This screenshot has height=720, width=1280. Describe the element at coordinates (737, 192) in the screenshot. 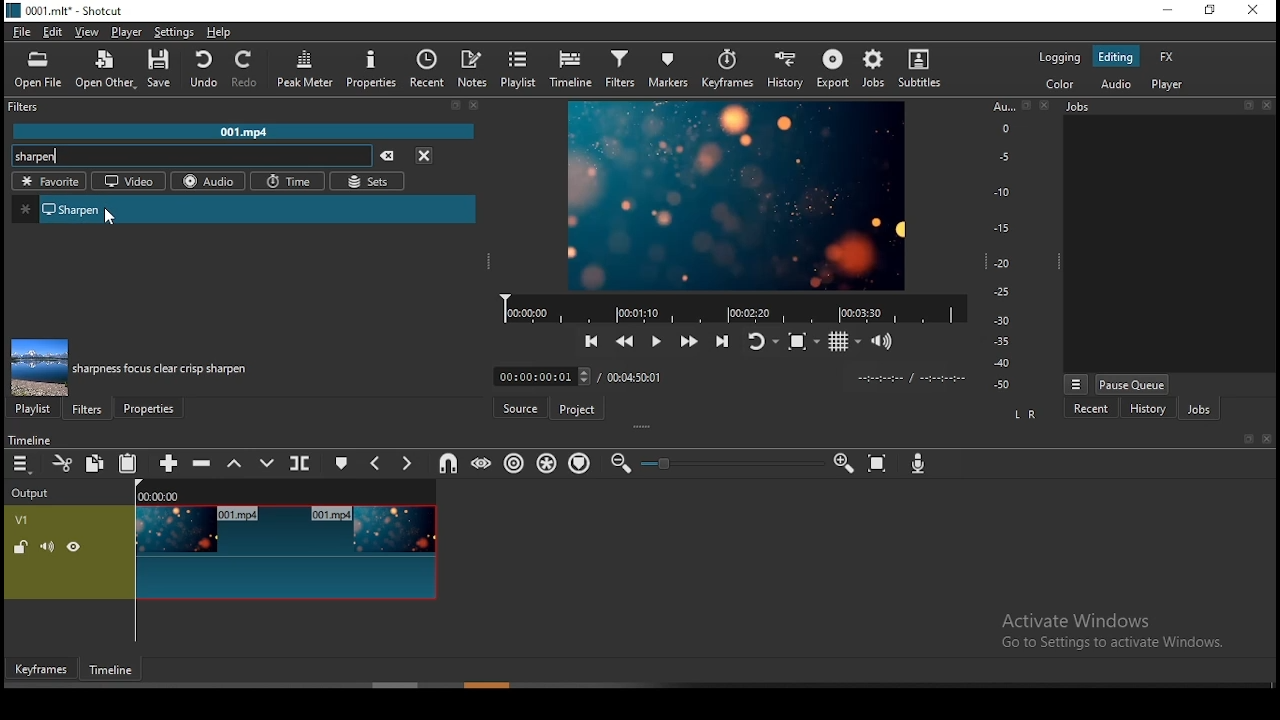

I see `preview` at that location.